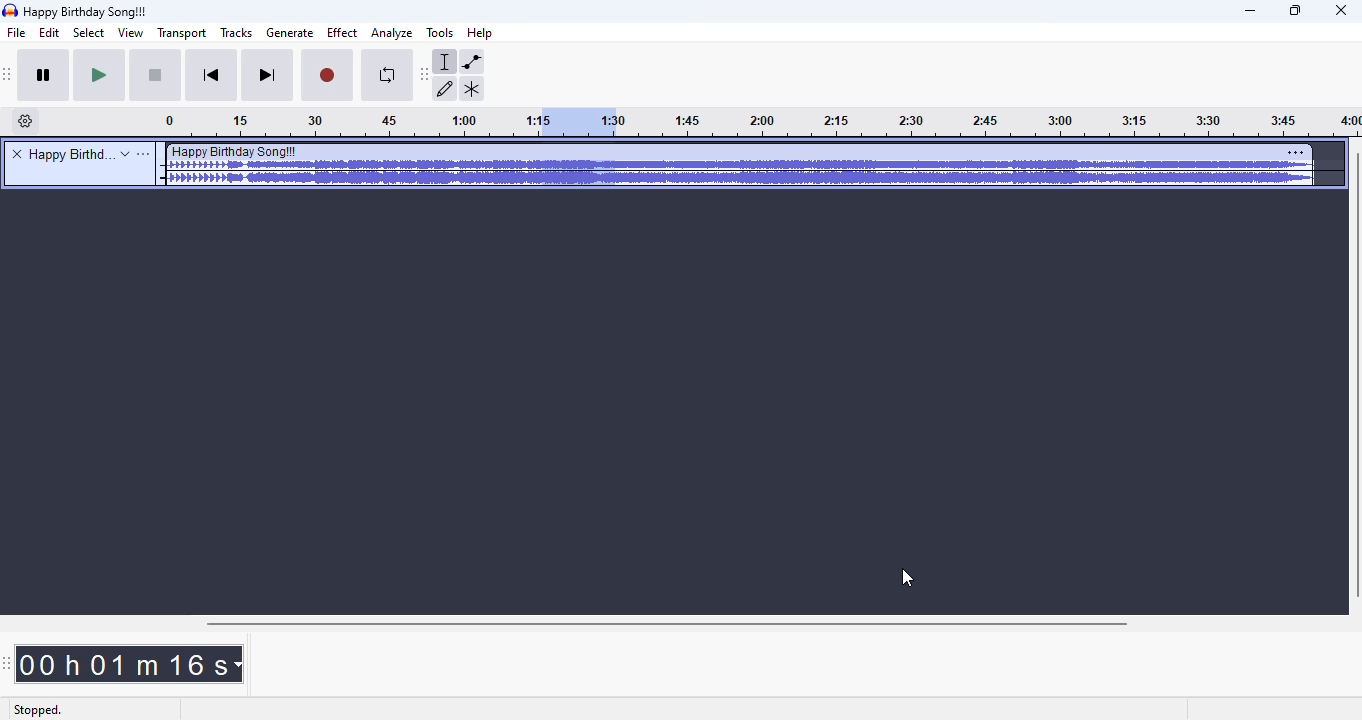 The image size is (1362, 720). What do you see at coordinates (87, 12) in the screenshot?
I see `title` at bounding box center [87, 12].